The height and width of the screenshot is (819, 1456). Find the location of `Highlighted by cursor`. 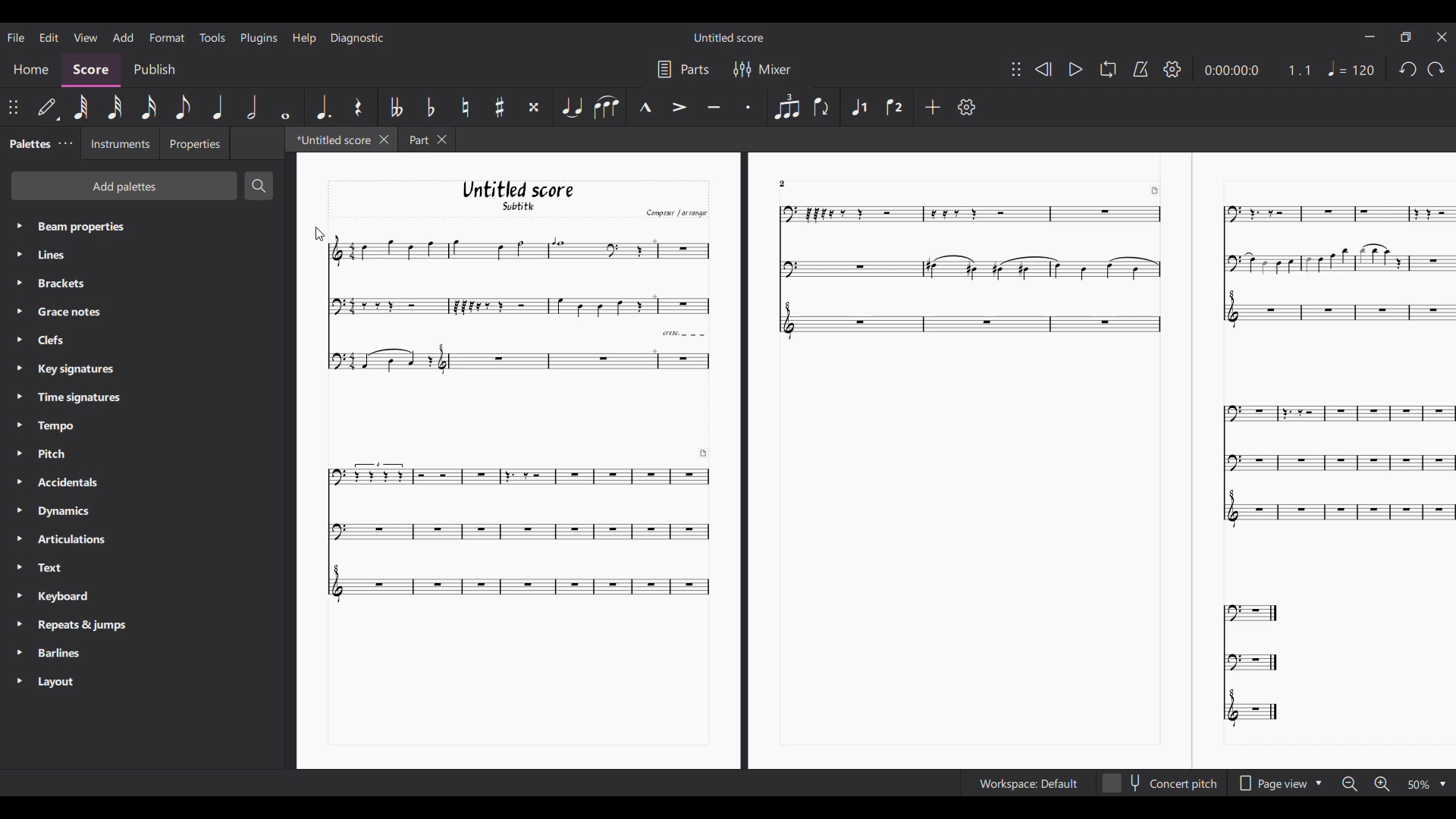

Highlighted by cursor is located at coordinates (17, 283).